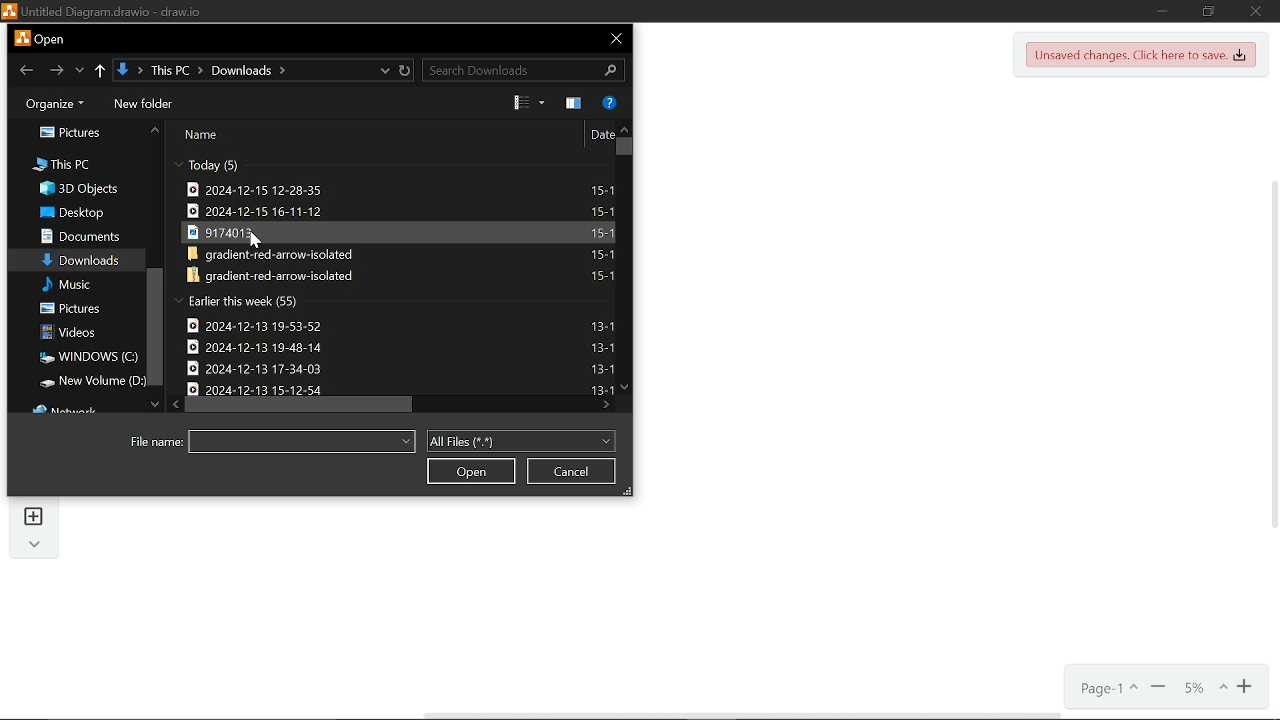 The height and width of the screenshot is (720, 1280). Describe the element at coordinates (624, 389) in the screenshot. I see `Move down in files` at that location.